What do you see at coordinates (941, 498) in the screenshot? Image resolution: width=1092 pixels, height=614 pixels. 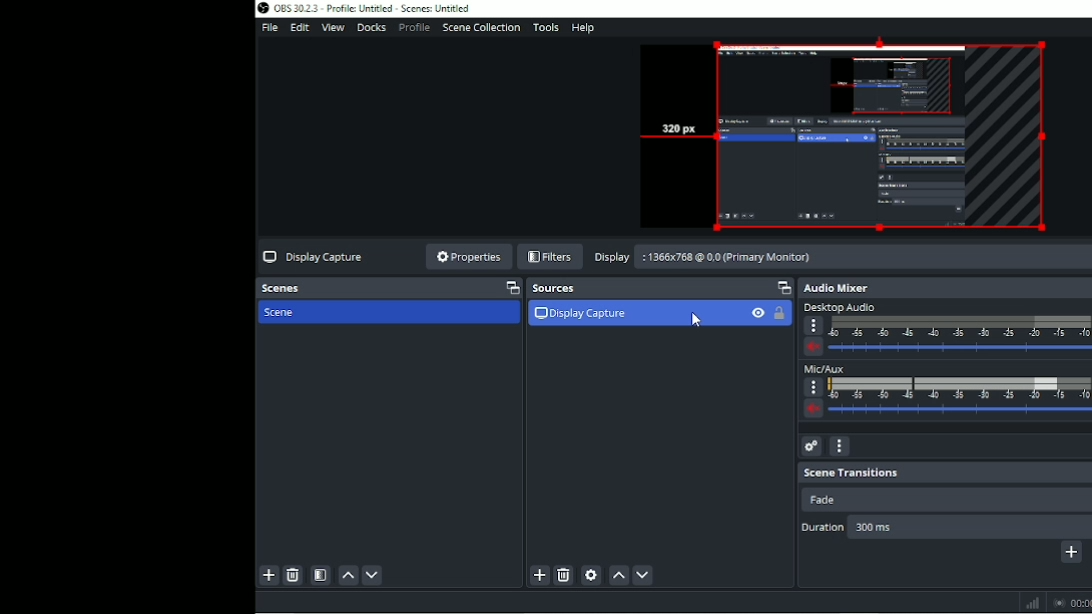 I see `Fade` at bounding box center [941, 498].